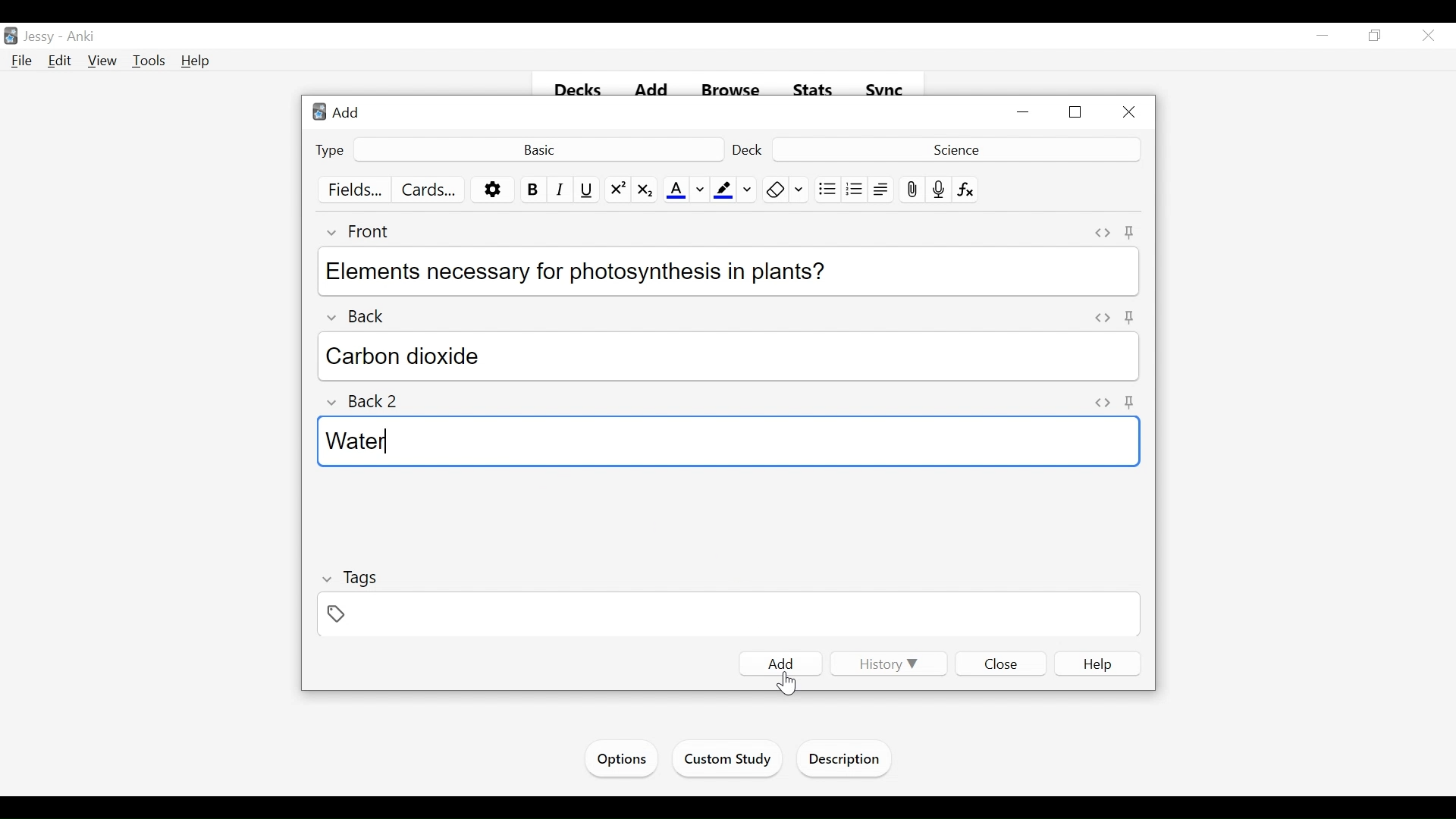  What do you see at coordinates (881, 190) in the screenshot?
I see `Alignment` at bounding box center [881, 190].